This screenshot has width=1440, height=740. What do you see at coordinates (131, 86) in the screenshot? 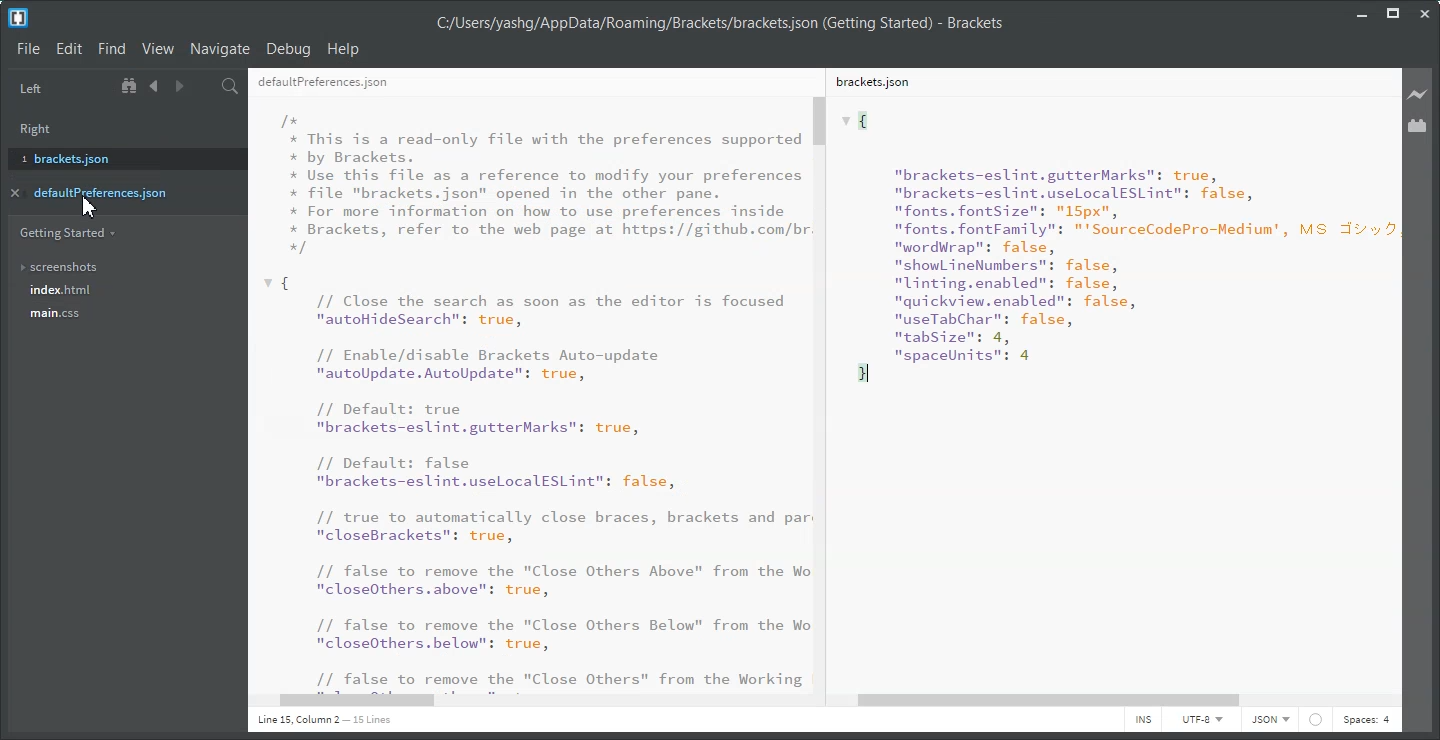
I see `Show in file tree` at bounding box center [131, 86].